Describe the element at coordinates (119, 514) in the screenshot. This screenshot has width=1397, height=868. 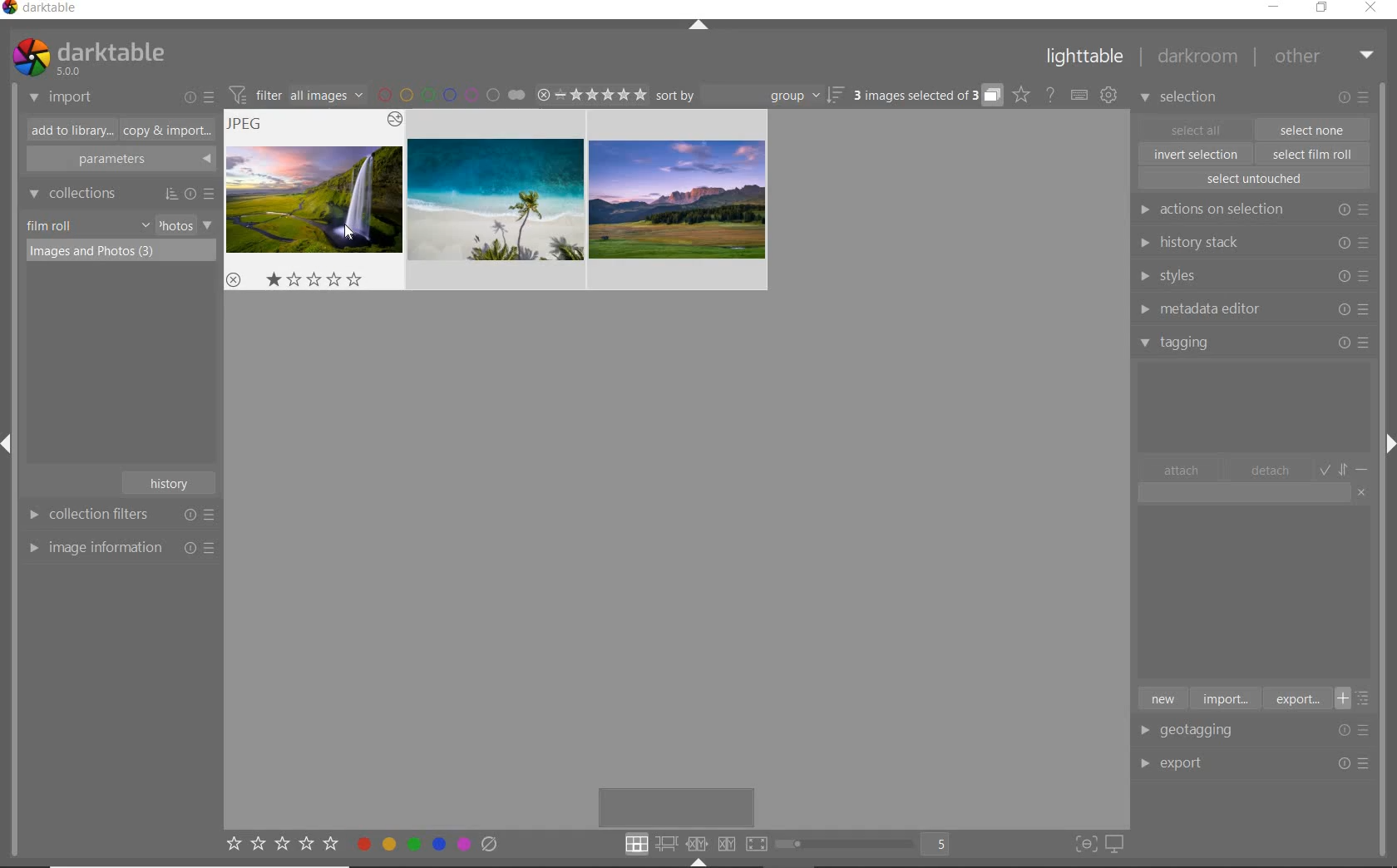
I see `collection filters` at that location.